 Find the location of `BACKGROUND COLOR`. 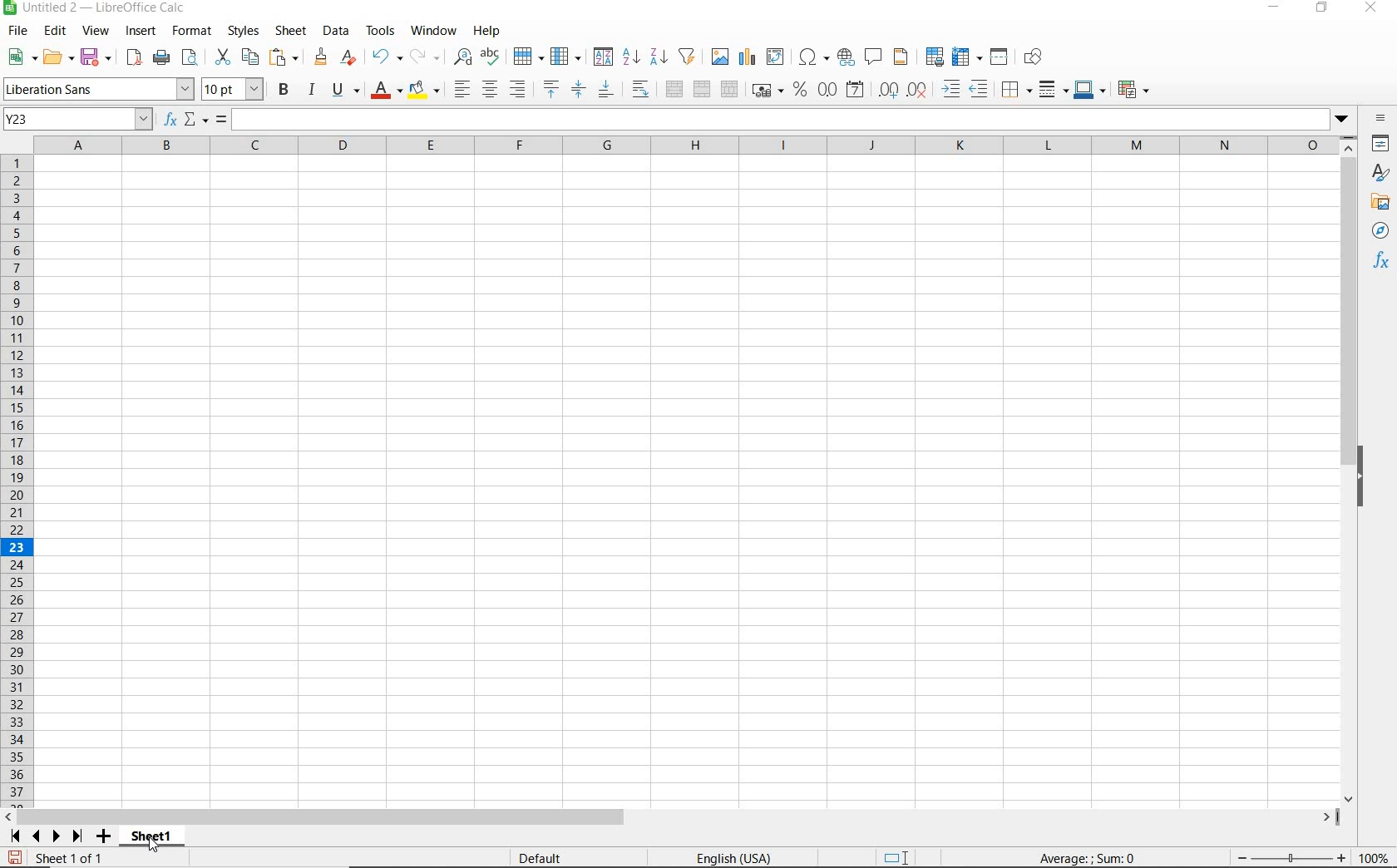

BACKGROUND COLOR is located at coordinates (424, 89).